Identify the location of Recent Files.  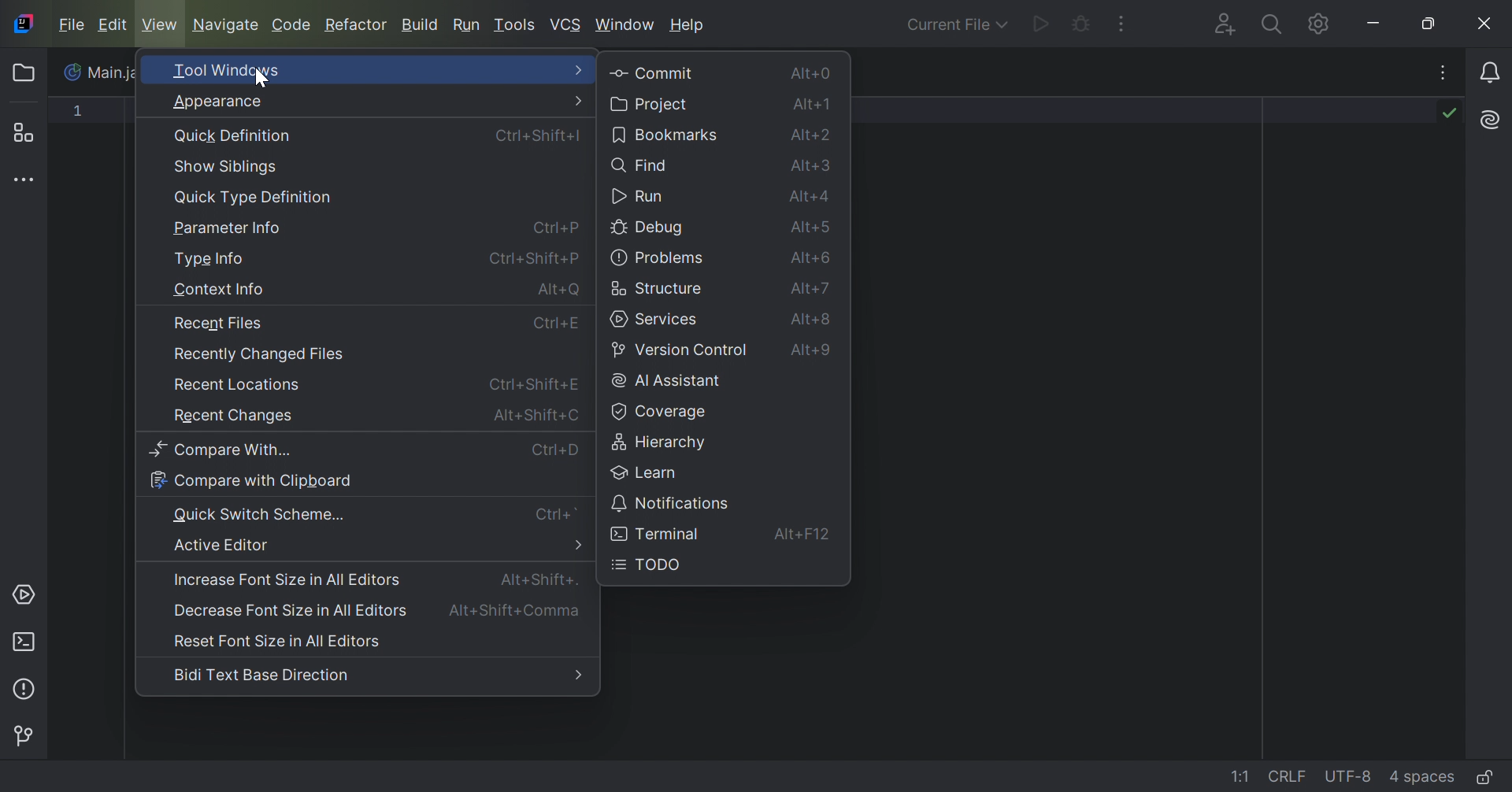
(217, 324).